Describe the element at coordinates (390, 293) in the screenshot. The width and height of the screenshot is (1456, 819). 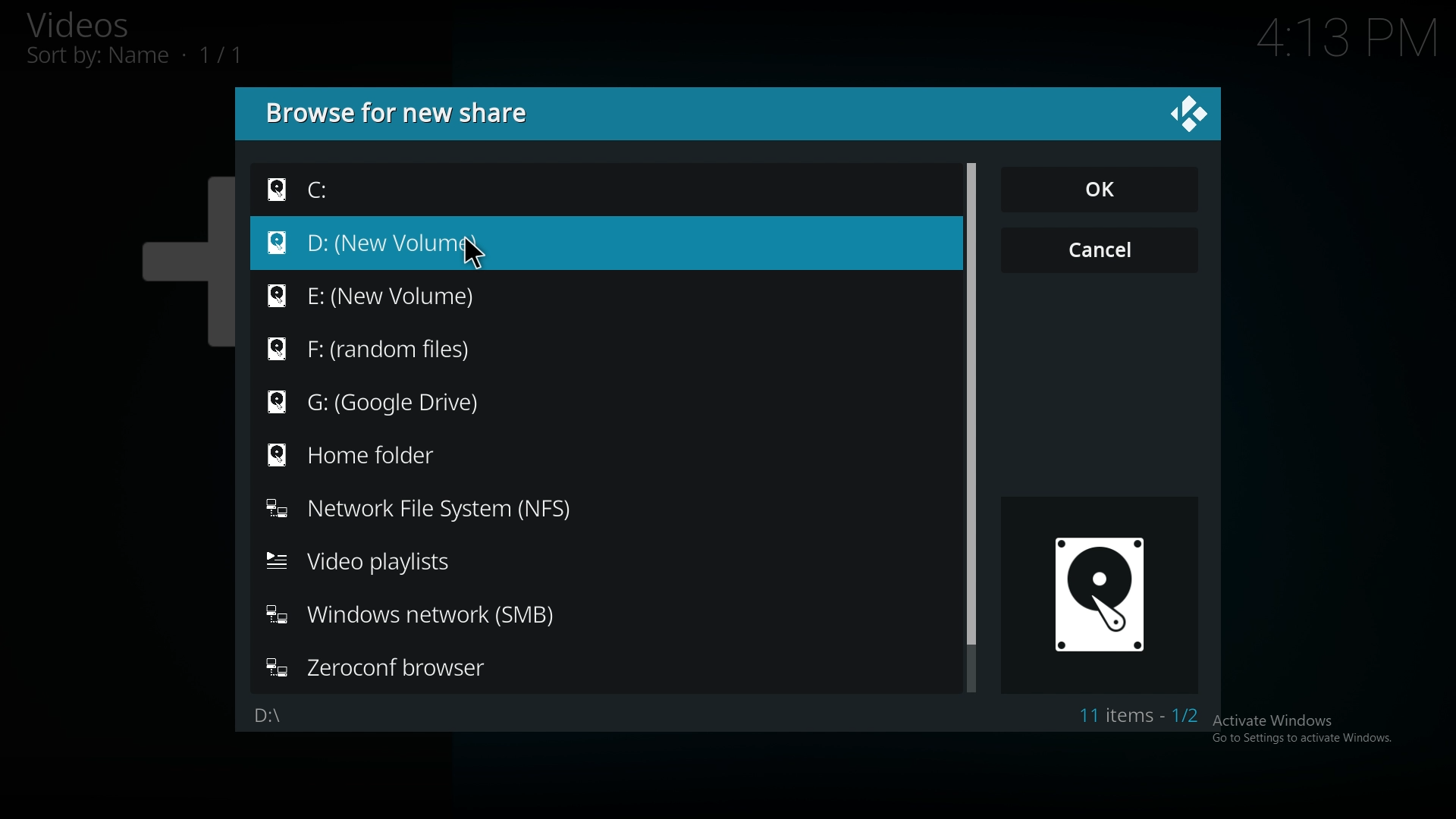
I see `folder` at that location.